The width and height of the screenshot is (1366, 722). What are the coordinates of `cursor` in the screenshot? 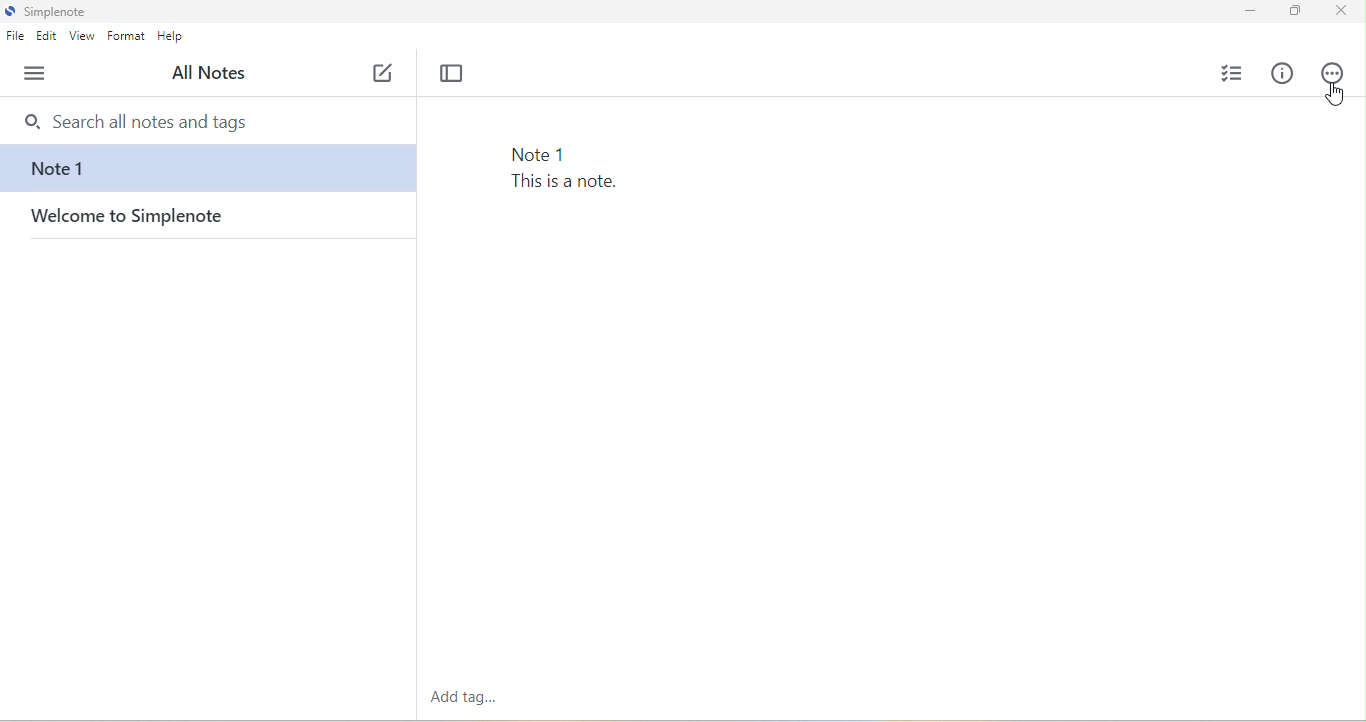 It's located at (1334, 97).